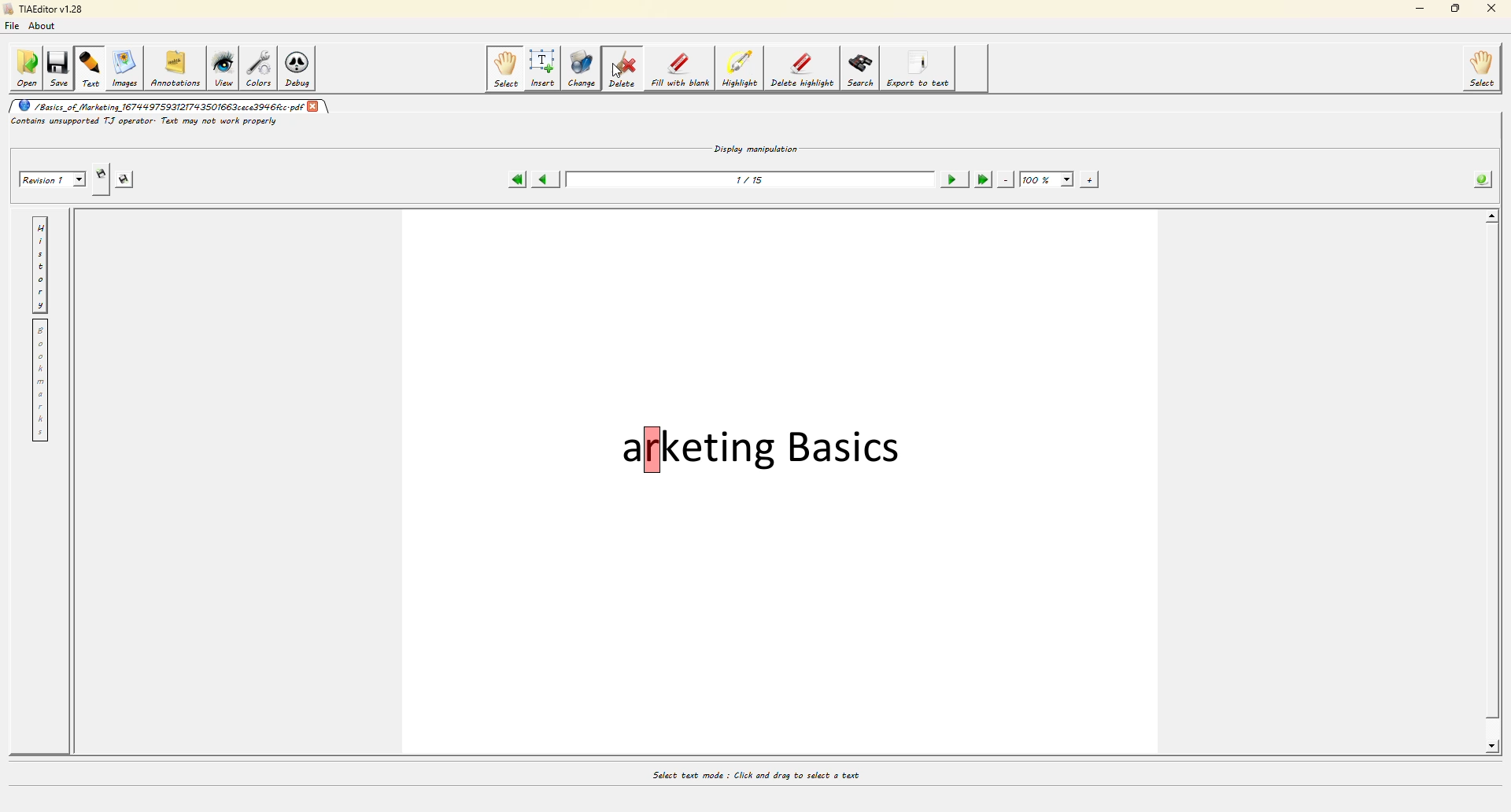 The height and width of the screenshot is (812, 1511). What do you see at coordinates (617, 72) in the screenshot?
I see `cursor` at bounding box center [617, 72].